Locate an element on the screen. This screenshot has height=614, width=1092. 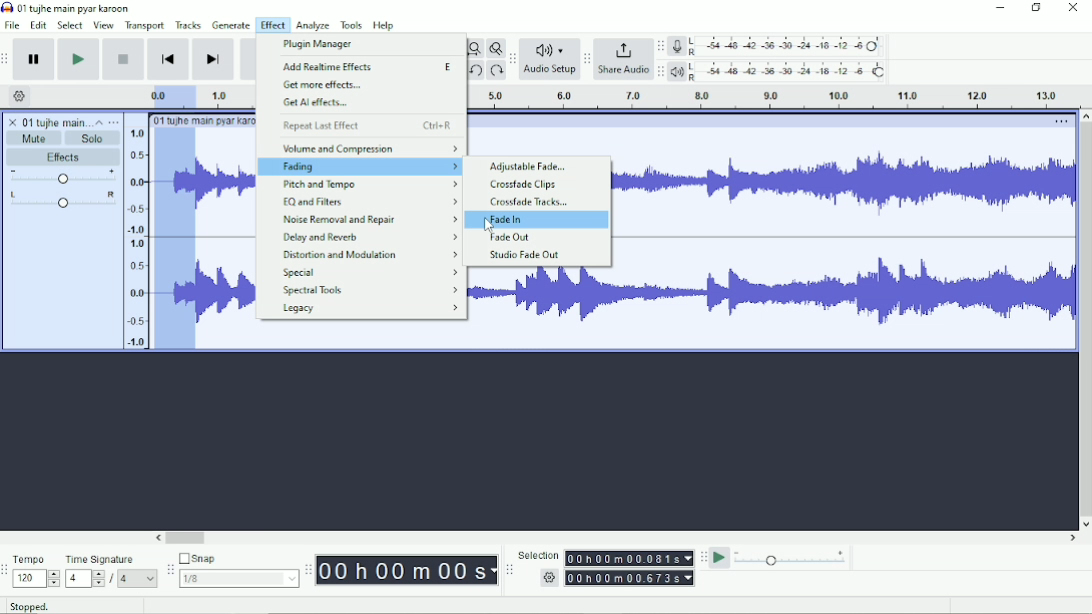
Restore down is located at coordinates (1037, 8).